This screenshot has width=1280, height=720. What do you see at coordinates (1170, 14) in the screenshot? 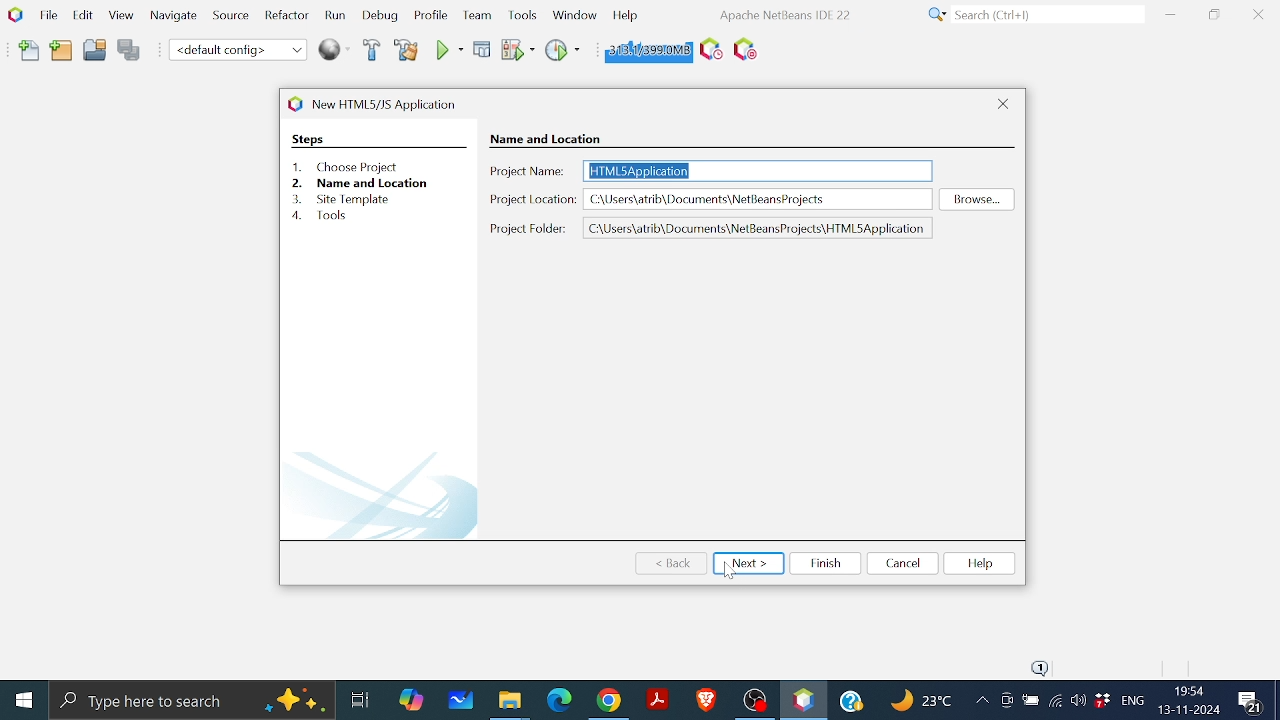
I see `Minimize` at bounding box center [1170, 14].